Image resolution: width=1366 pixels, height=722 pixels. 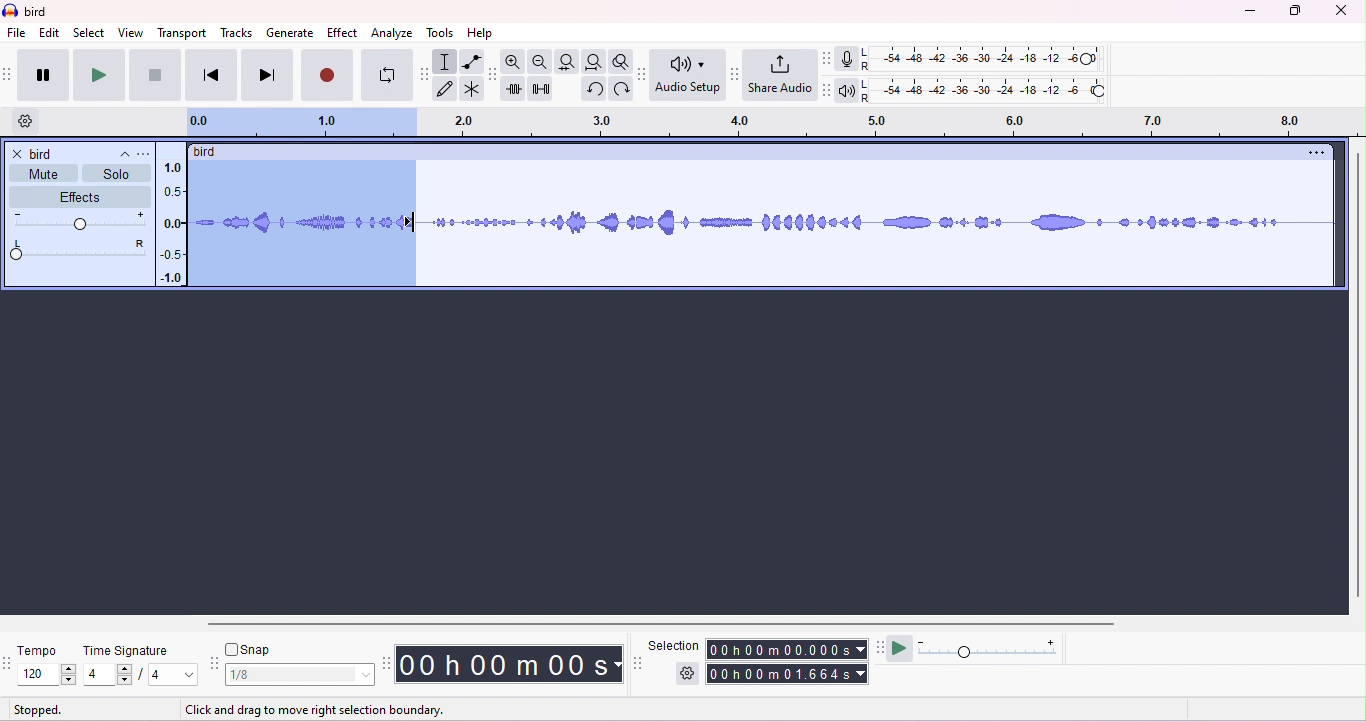 I want to click on waveform, so click(x=883, y=219).